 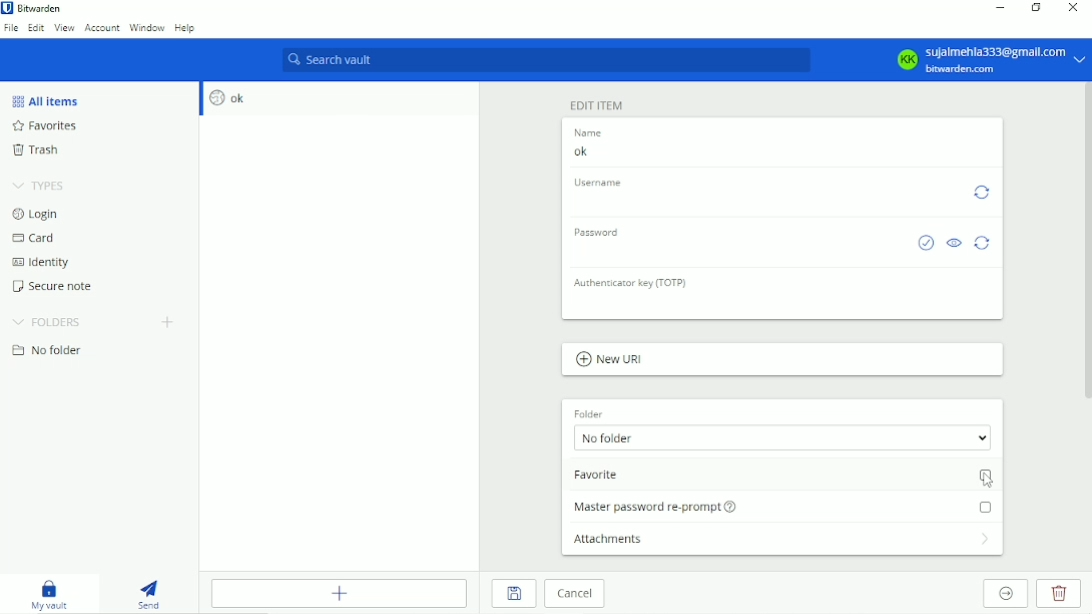 I want to click on No folder, so click(x=783, y=437).